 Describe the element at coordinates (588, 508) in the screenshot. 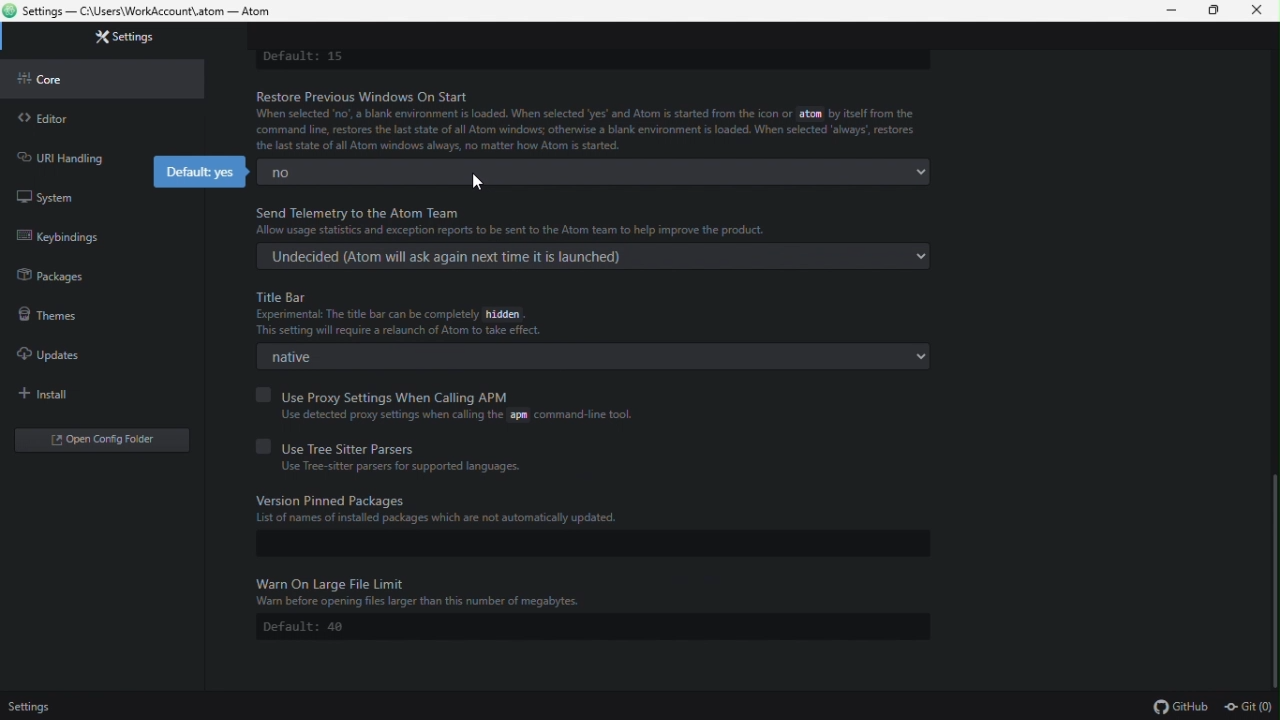

I see `Version Pinned Packages List of names of installed packages which are not automatically updated.` at that location.